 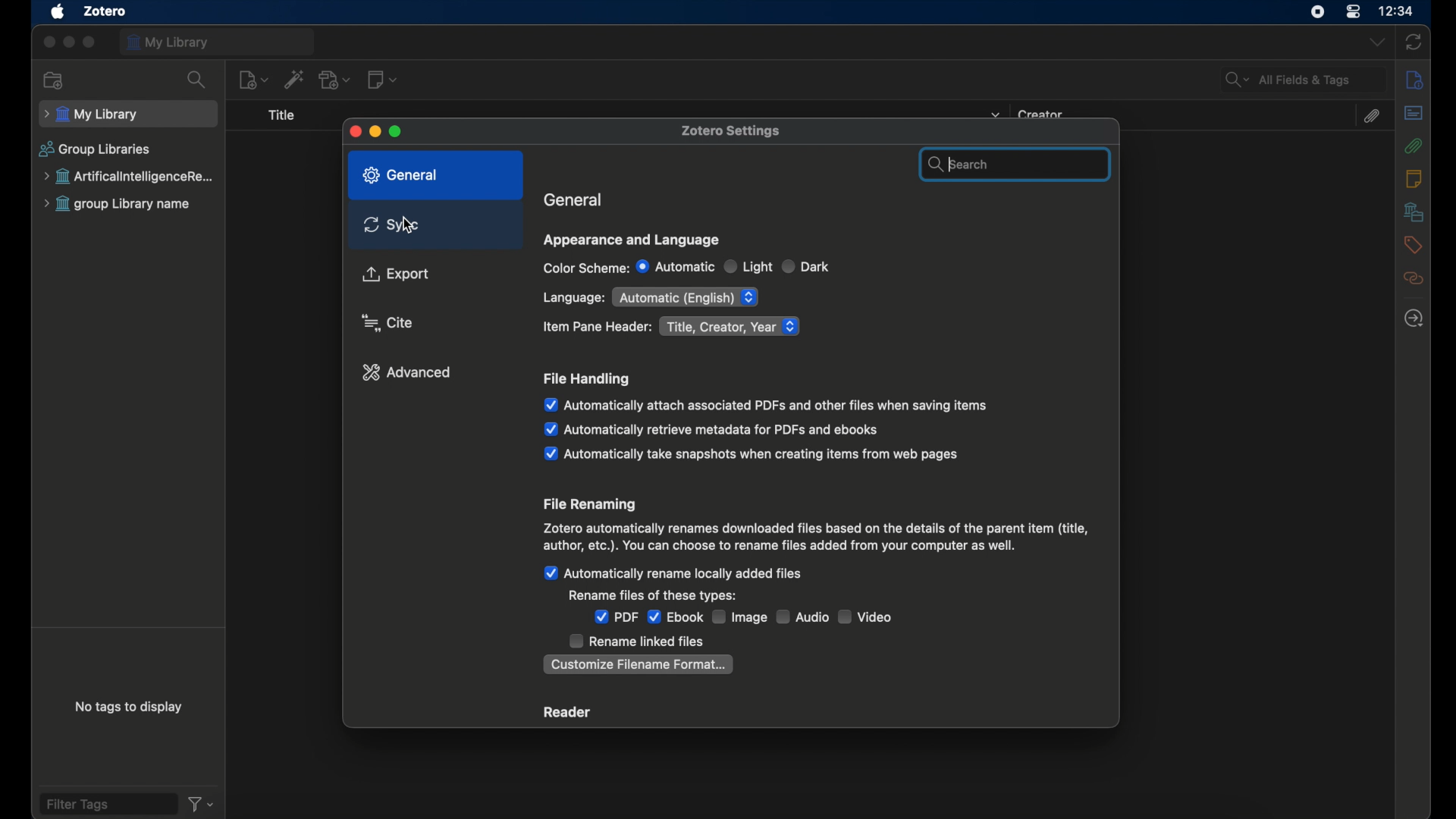 What do you see at coordinates (1314, 13) in the screenshot?
I see `screen recorder` at bounding box center [1314, 13].